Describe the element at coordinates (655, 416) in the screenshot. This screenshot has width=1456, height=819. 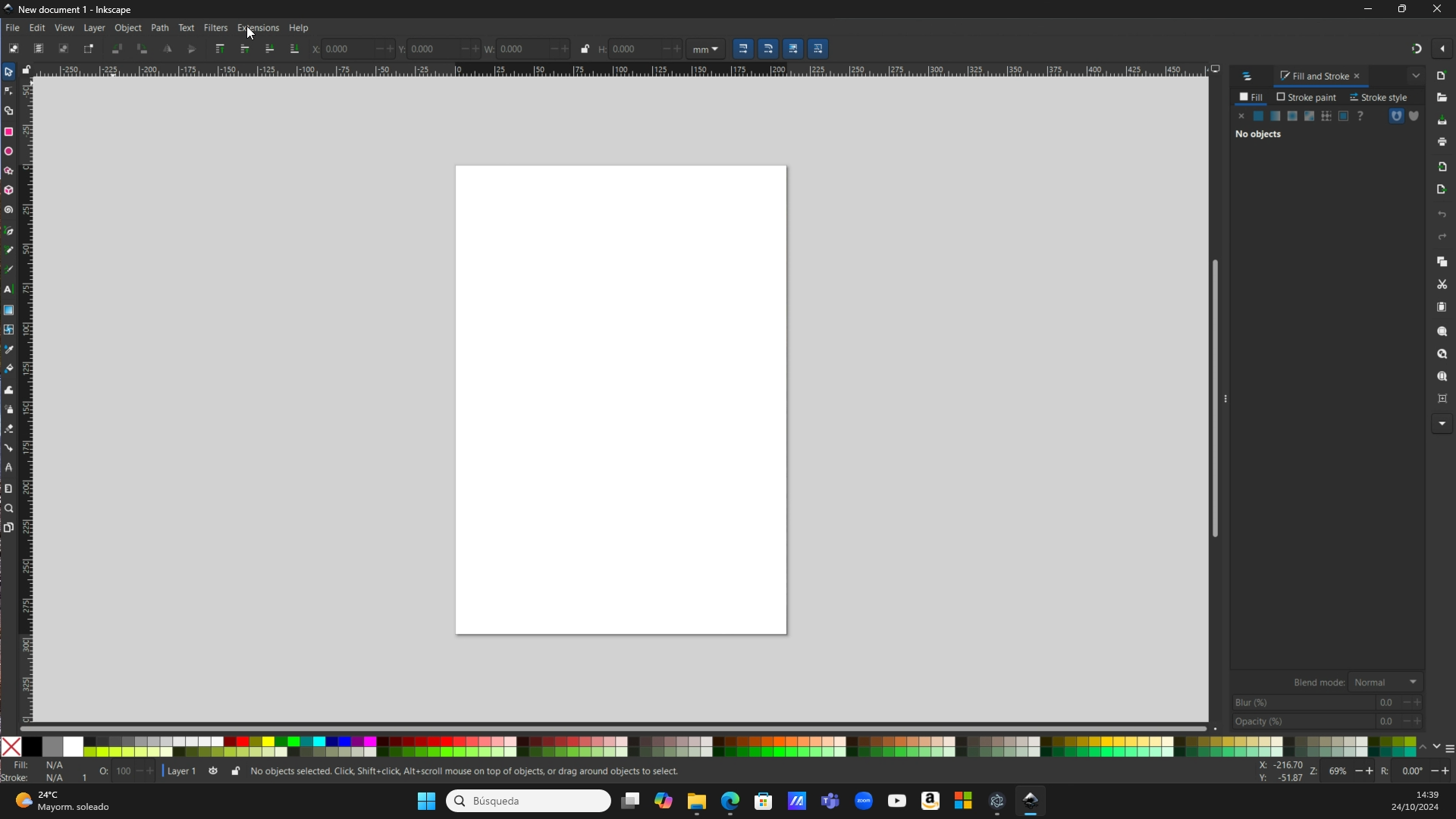
I see `File` at that location.